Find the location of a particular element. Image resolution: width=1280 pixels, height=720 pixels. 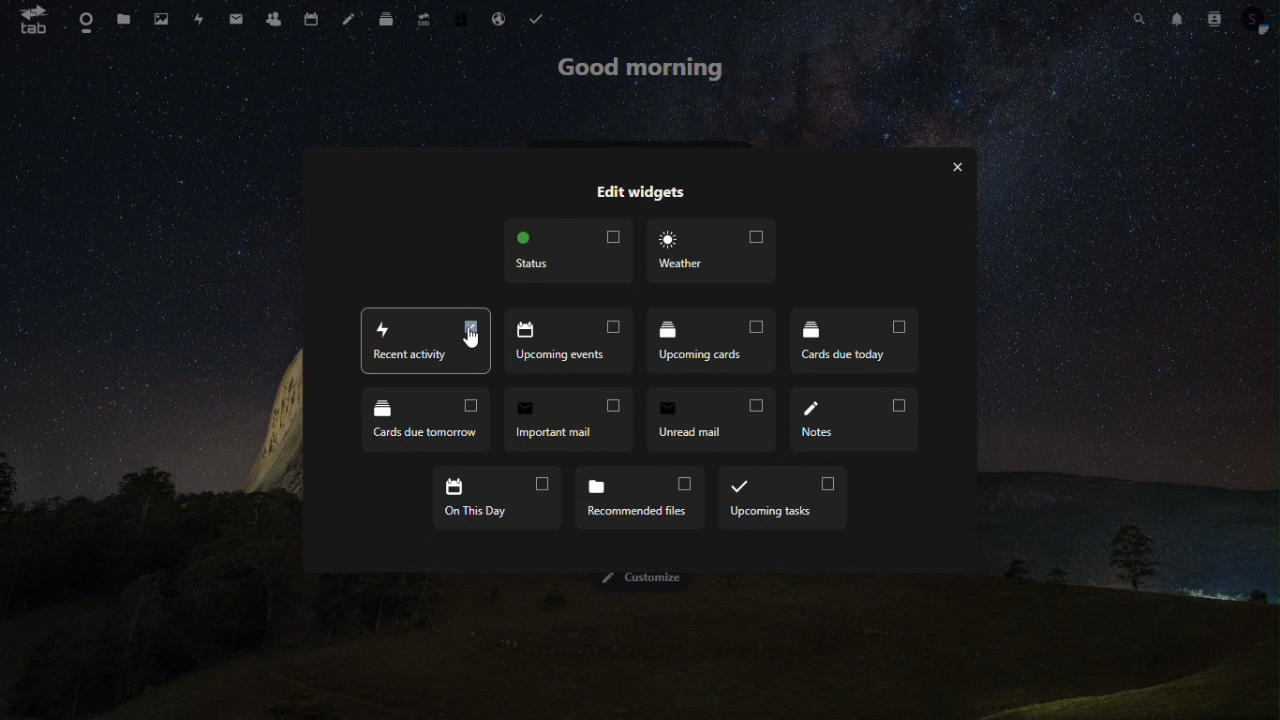

notification is located at coordinates (1175, 18).